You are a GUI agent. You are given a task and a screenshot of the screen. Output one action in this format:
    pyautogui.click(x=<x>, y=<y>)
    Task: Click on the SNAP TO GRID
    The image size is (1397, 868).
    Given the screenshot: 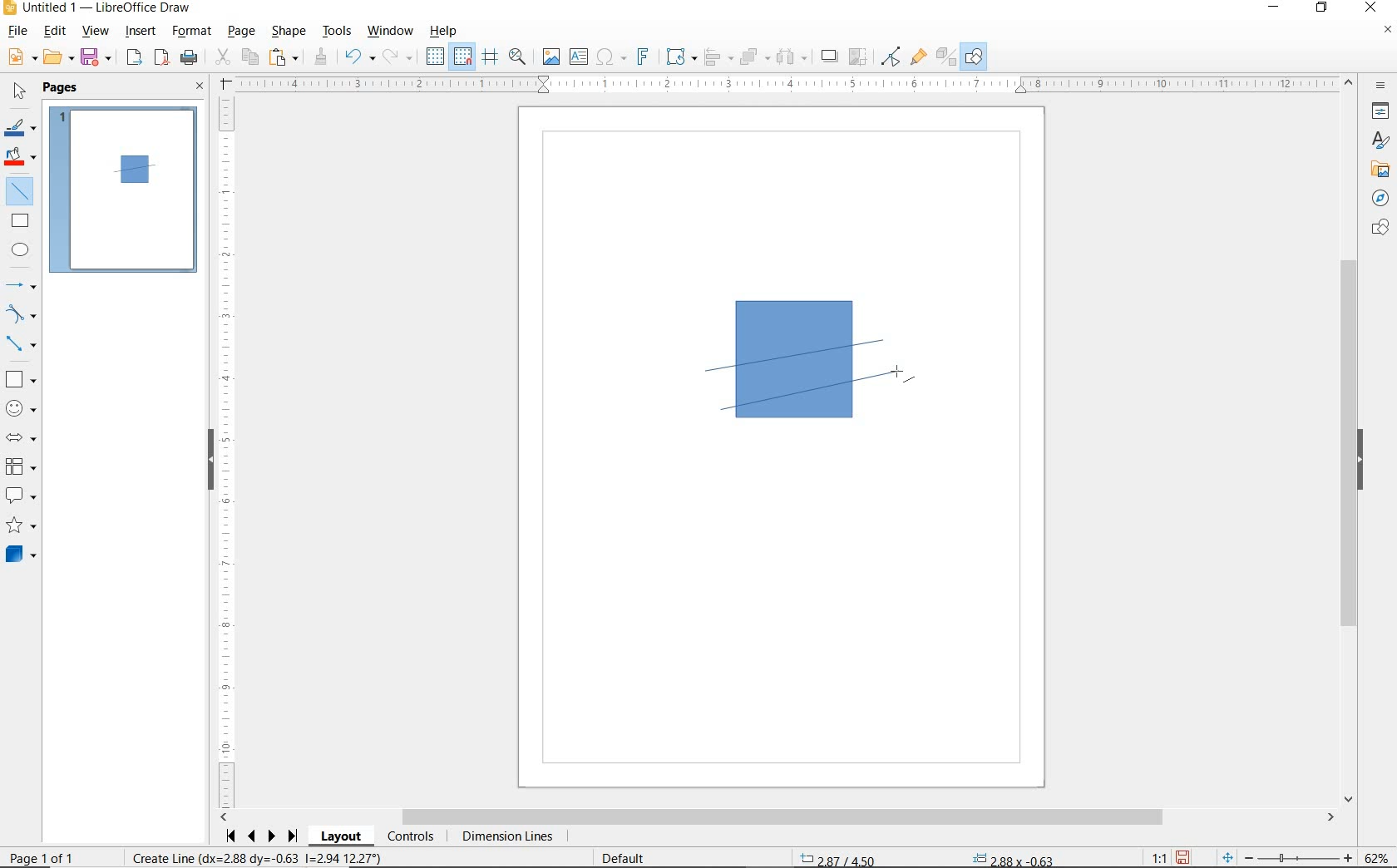 What is the action you would take?
    pyautogui.click(x=463, y=57)
    